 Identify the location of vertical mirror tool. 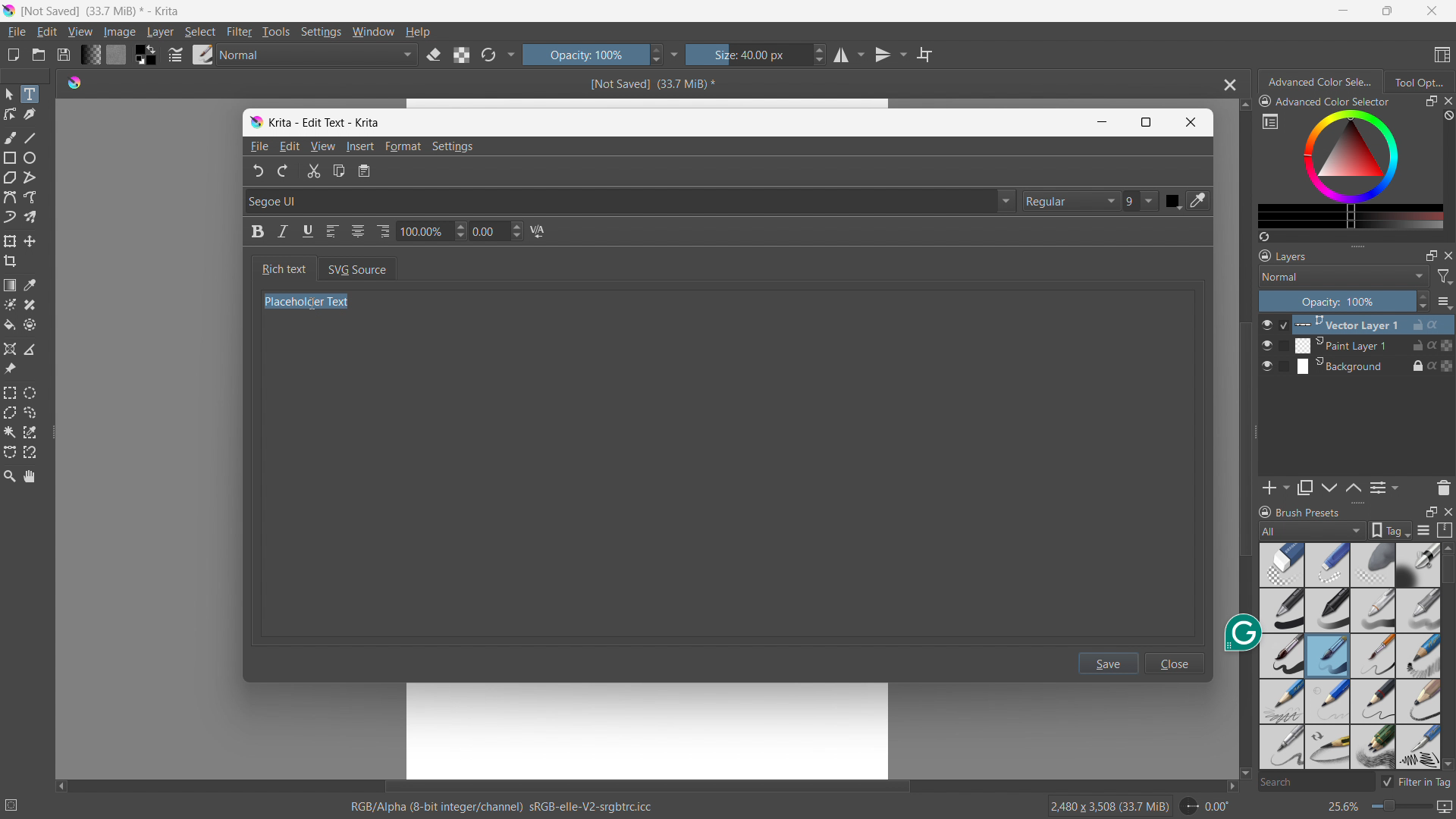
(888, 55).